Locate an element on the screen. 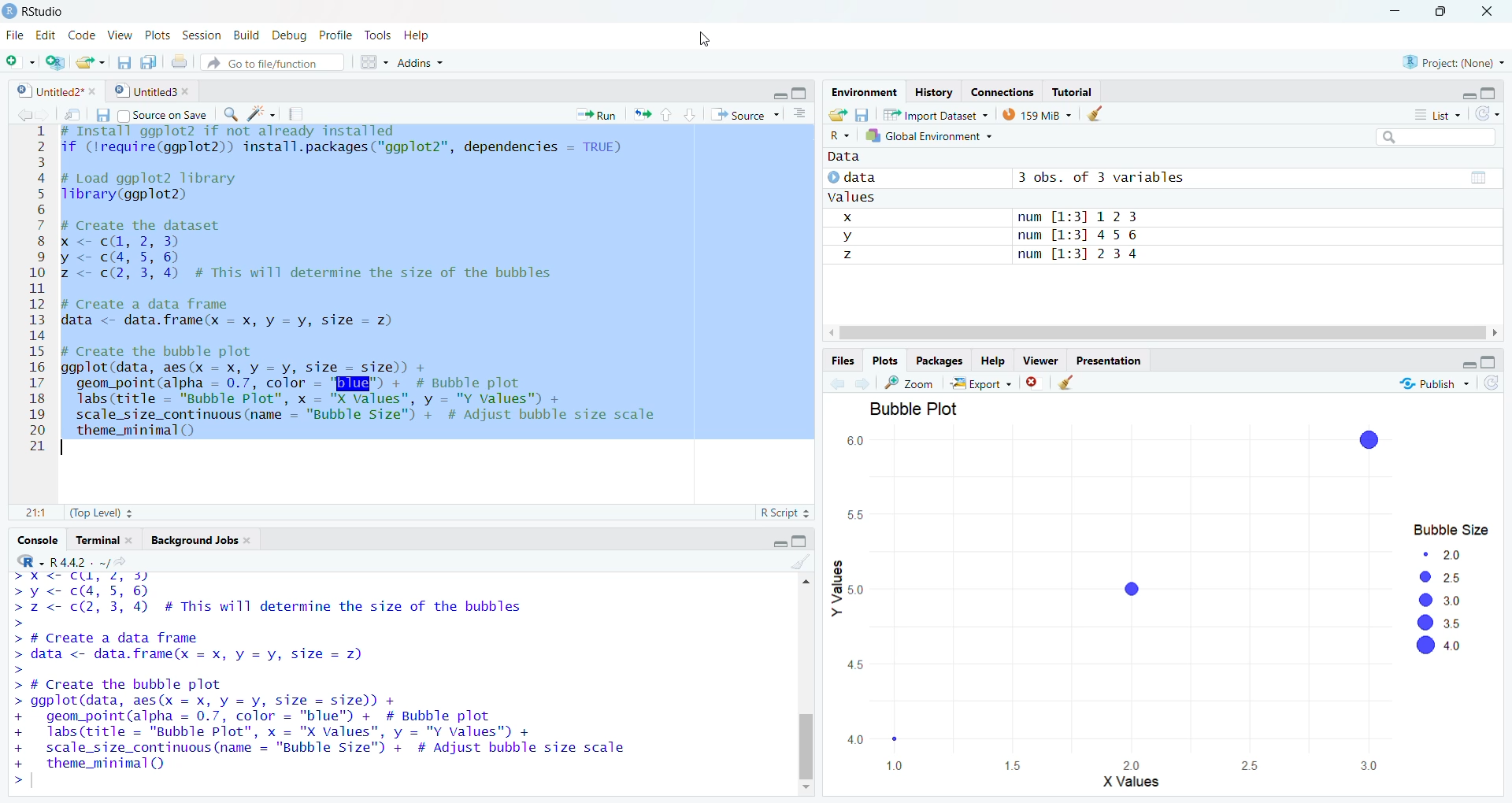   is located at coordinates (13, 36).